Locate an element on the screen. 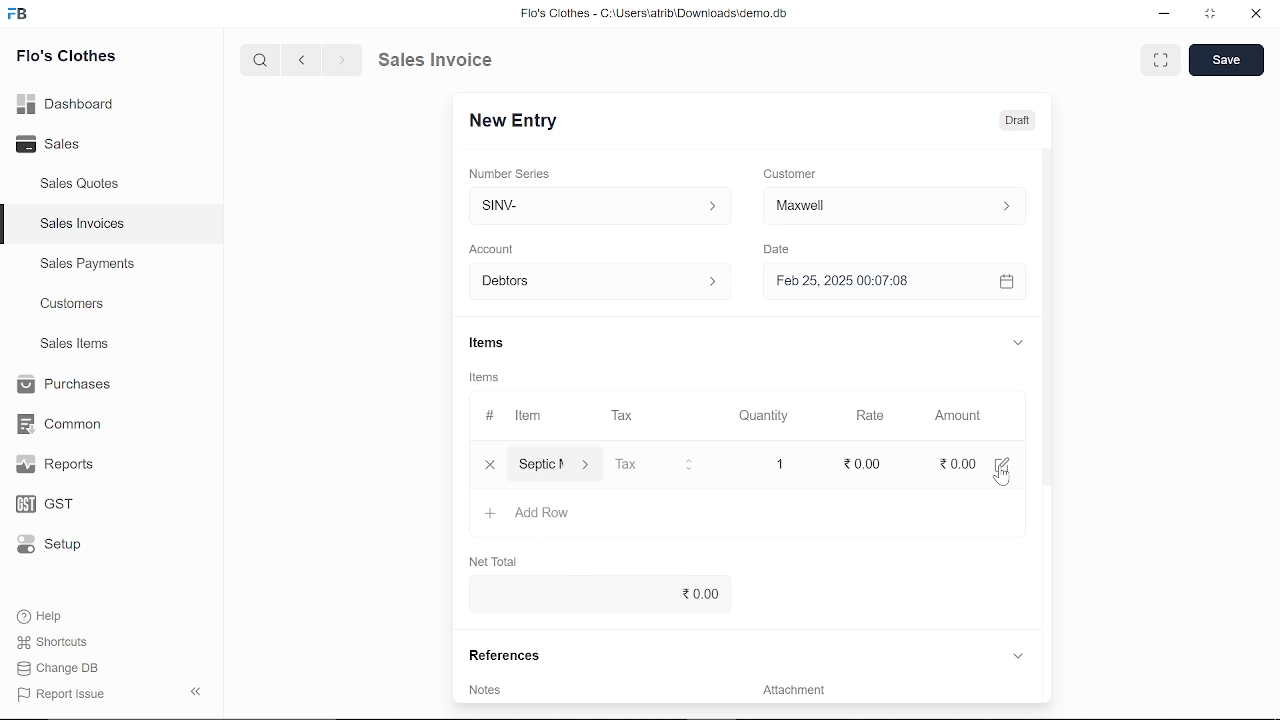  Sales Items. is located at coordinates (76, 345).